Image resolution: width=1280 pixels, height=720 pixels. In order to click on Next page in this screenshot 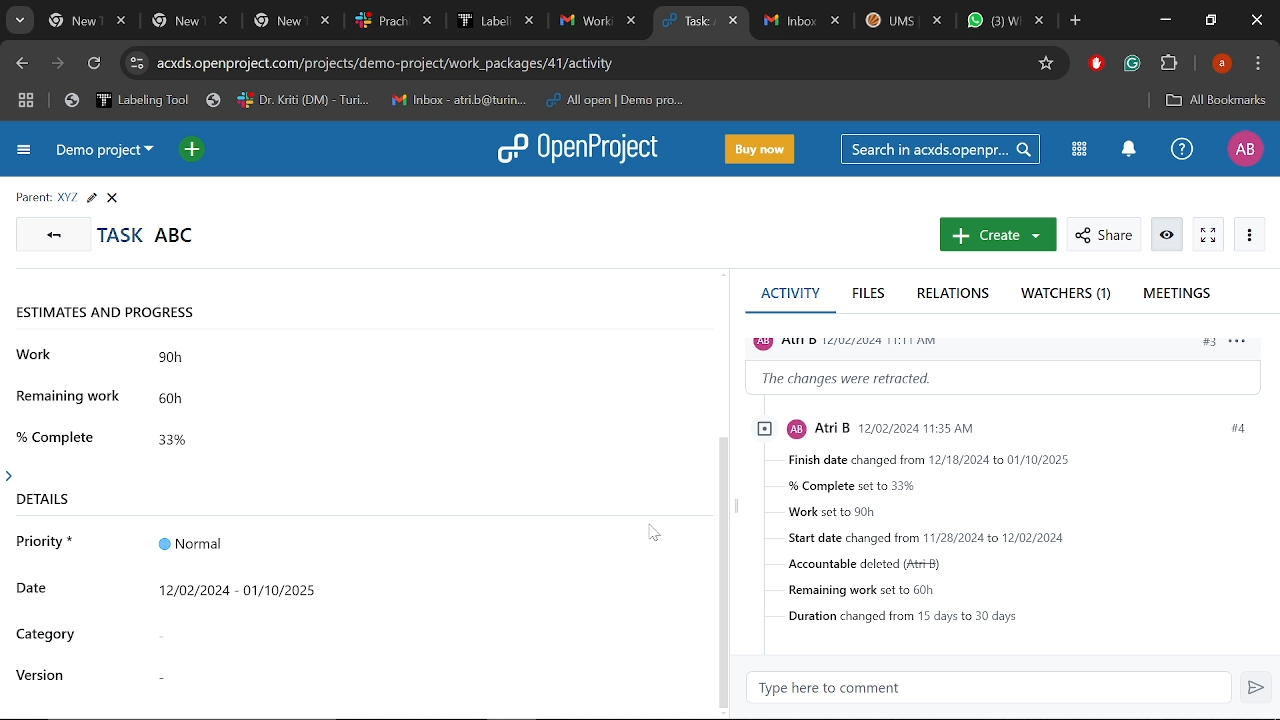, I will do `click(60, 65)`.